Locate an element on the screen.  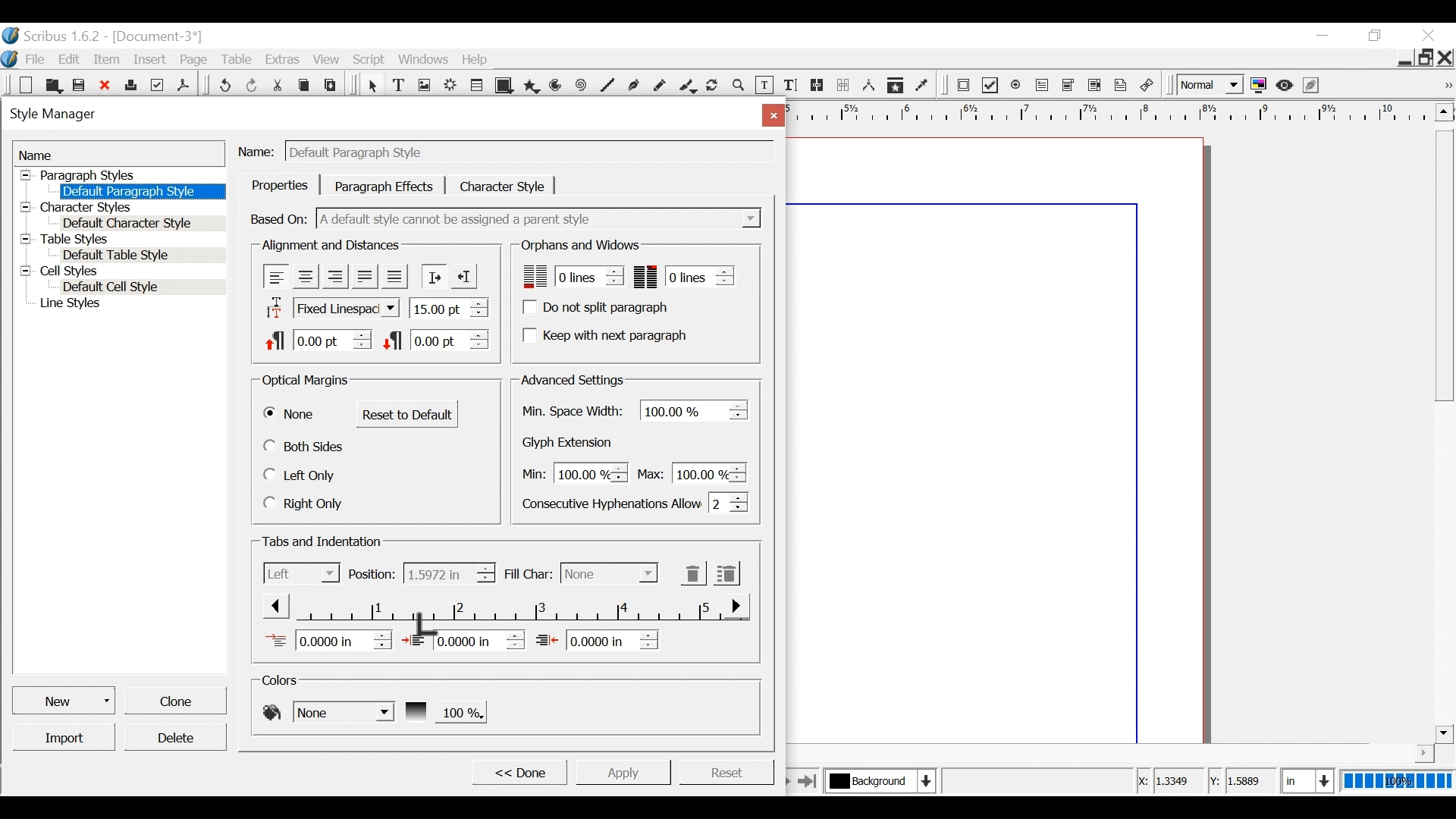
Freehand line is located at coordinates (661, 87).